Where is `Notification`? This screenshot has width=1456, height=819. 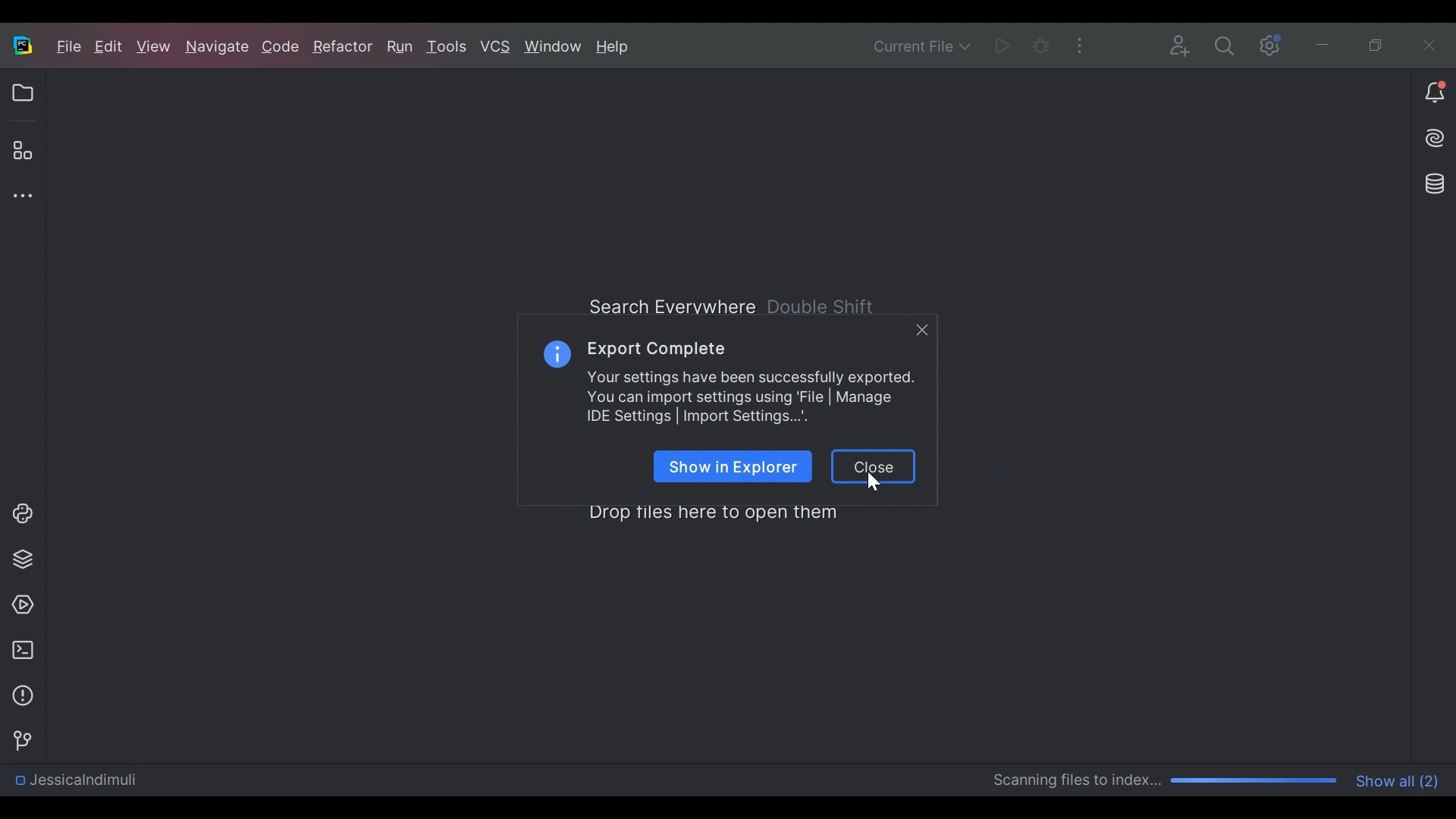 Notification is located at coordinates (1434, 93).